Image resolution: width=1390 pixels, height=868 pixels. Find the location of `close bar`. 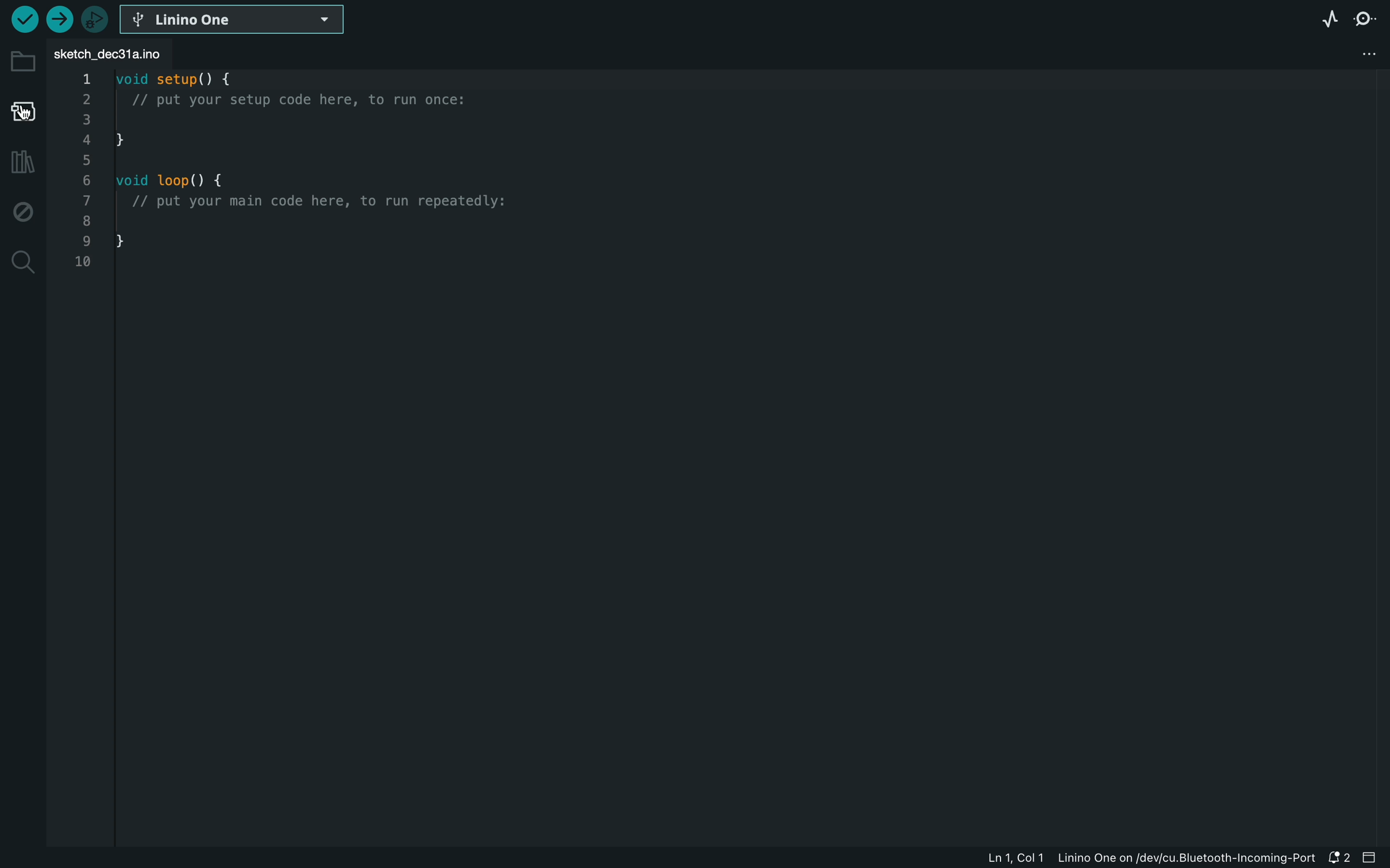

close bar is located at coordinates (1374, 858).